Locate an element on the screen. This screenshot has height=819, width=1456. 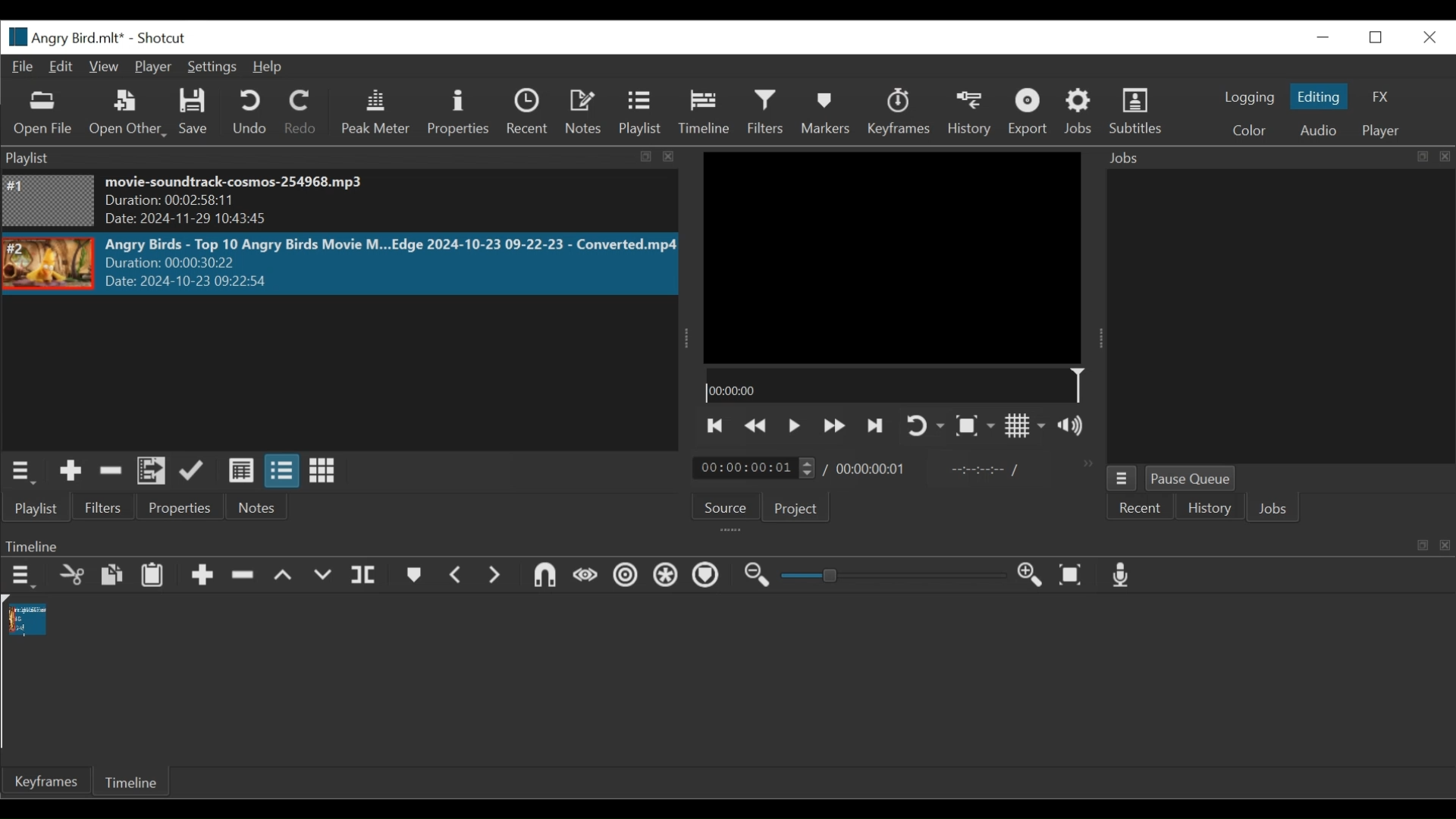
Restore is located at coordinates (1378, 36).